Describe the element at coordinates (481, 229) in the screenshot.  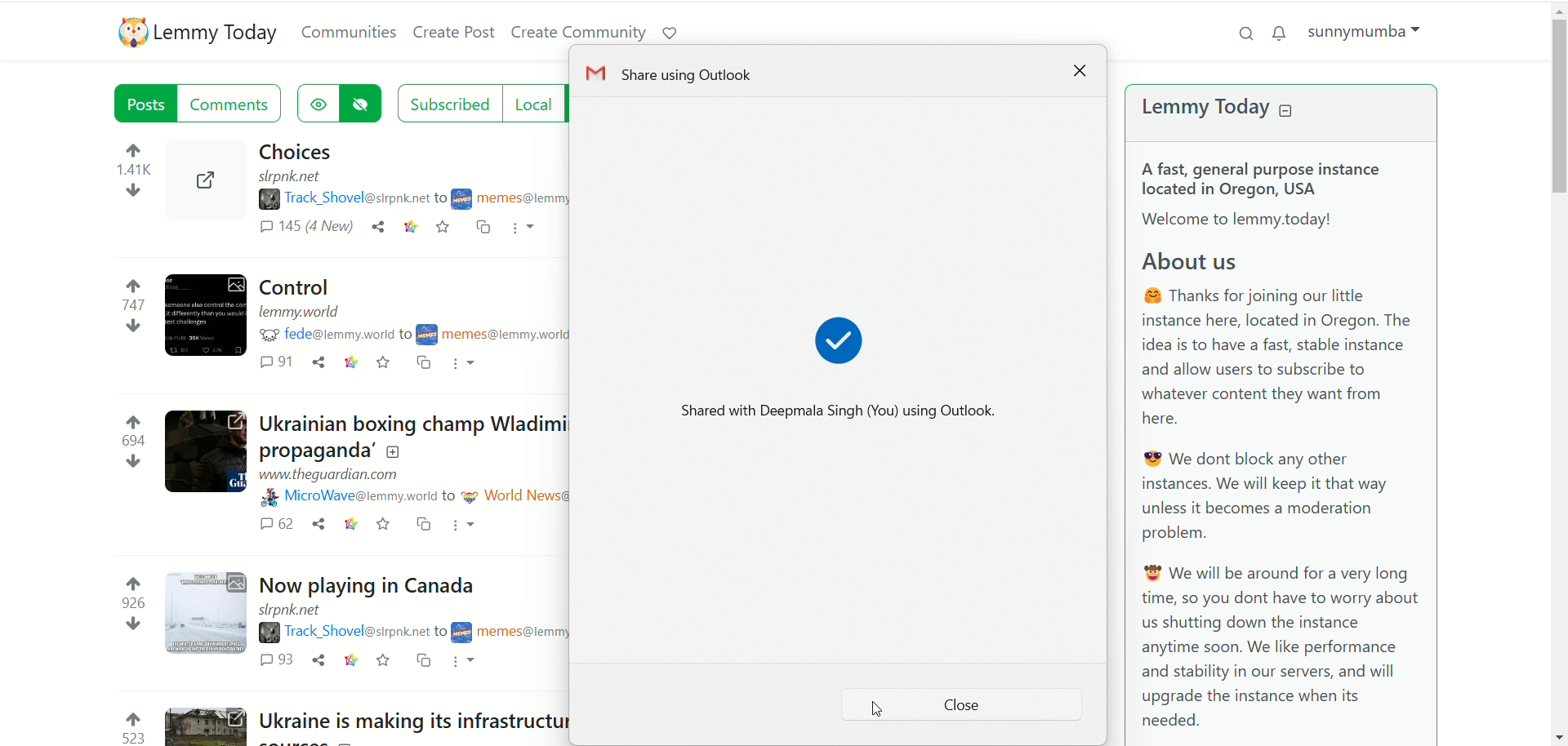
I see `cross post` at that location.